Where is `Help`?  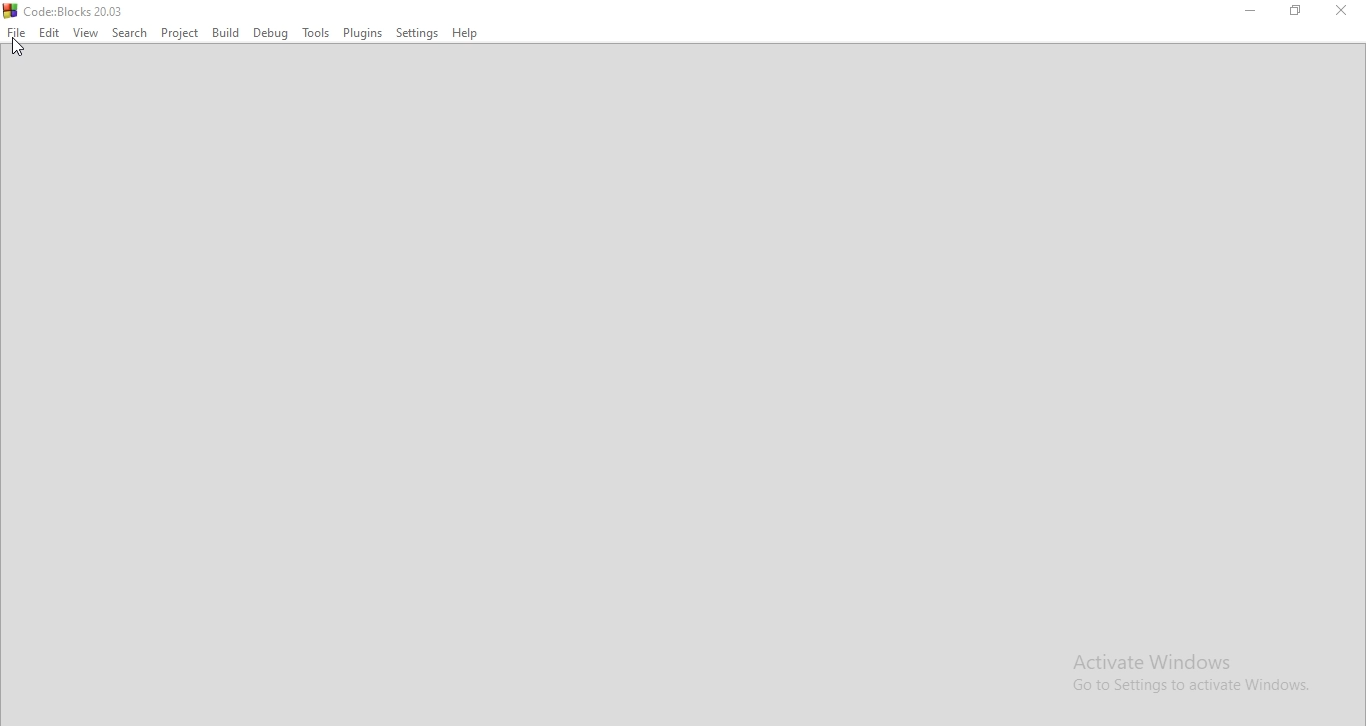 Help is located at coordinates (465, 33).